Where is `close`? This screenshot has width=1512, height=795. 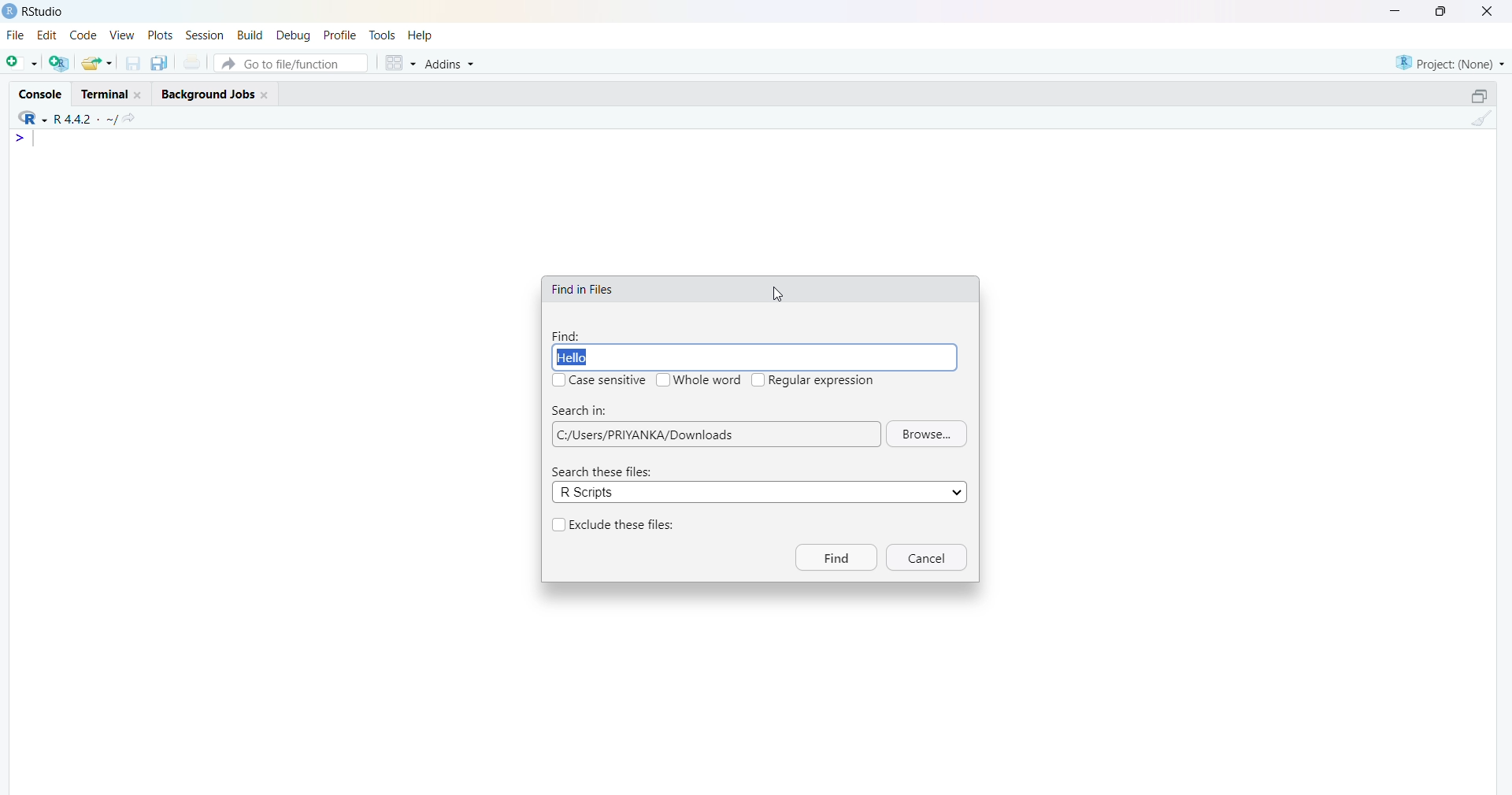
close is located at coordinates (140, 95).